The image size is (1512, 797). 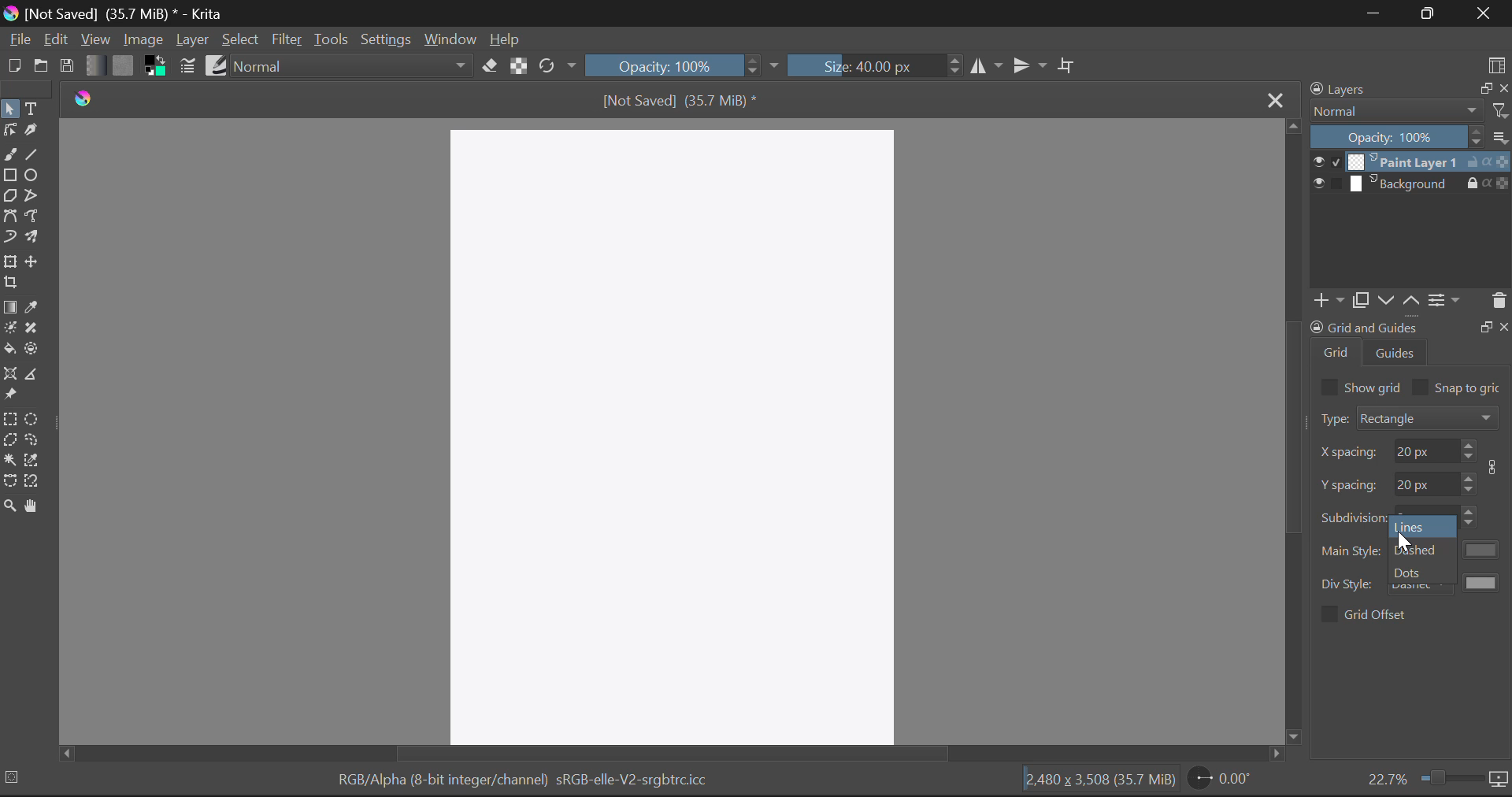 I want to click on Polygon, so click(x=11, y=197).